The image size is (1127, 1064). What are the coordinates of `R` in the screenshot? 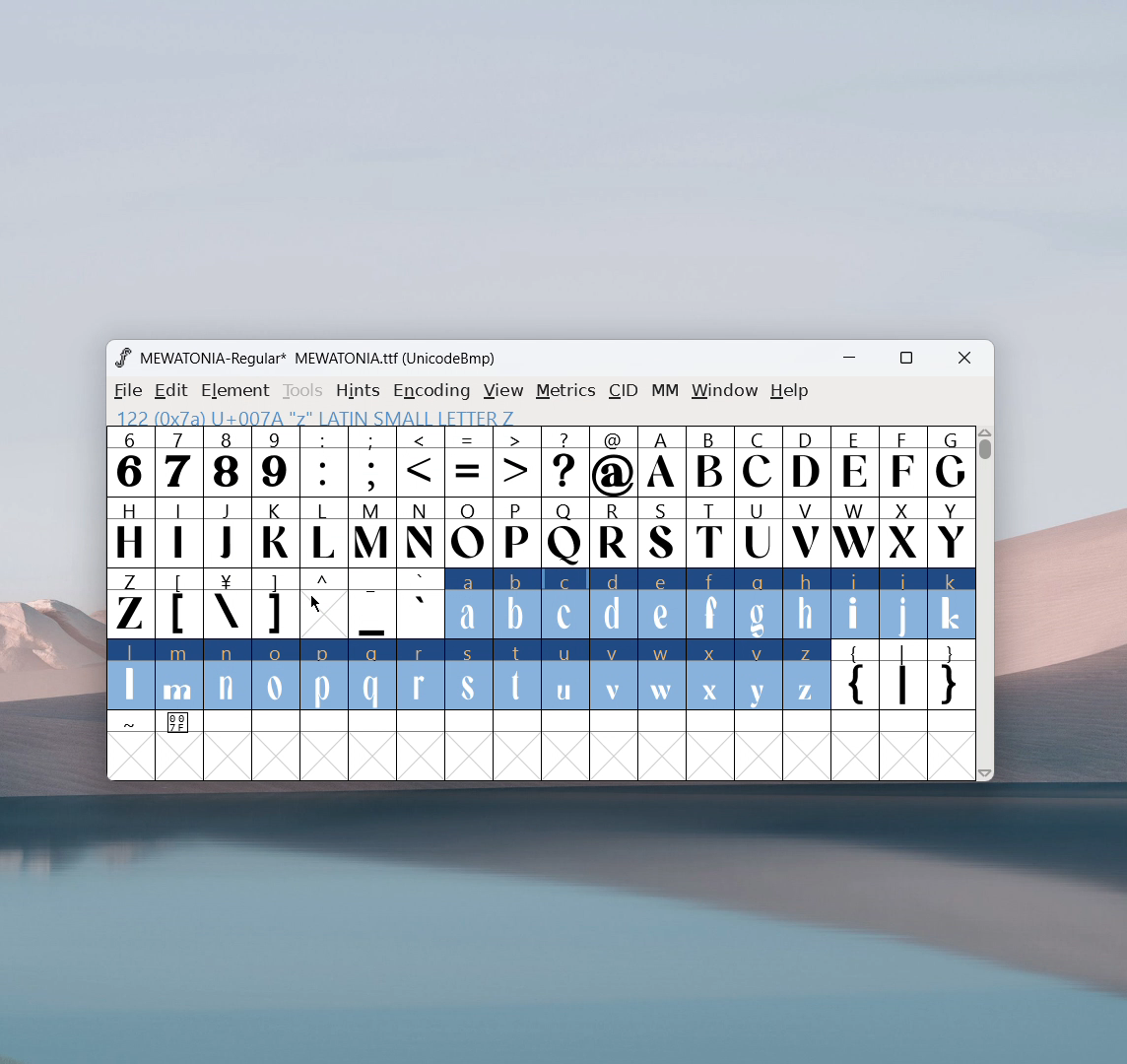 It's located at (613, 534).